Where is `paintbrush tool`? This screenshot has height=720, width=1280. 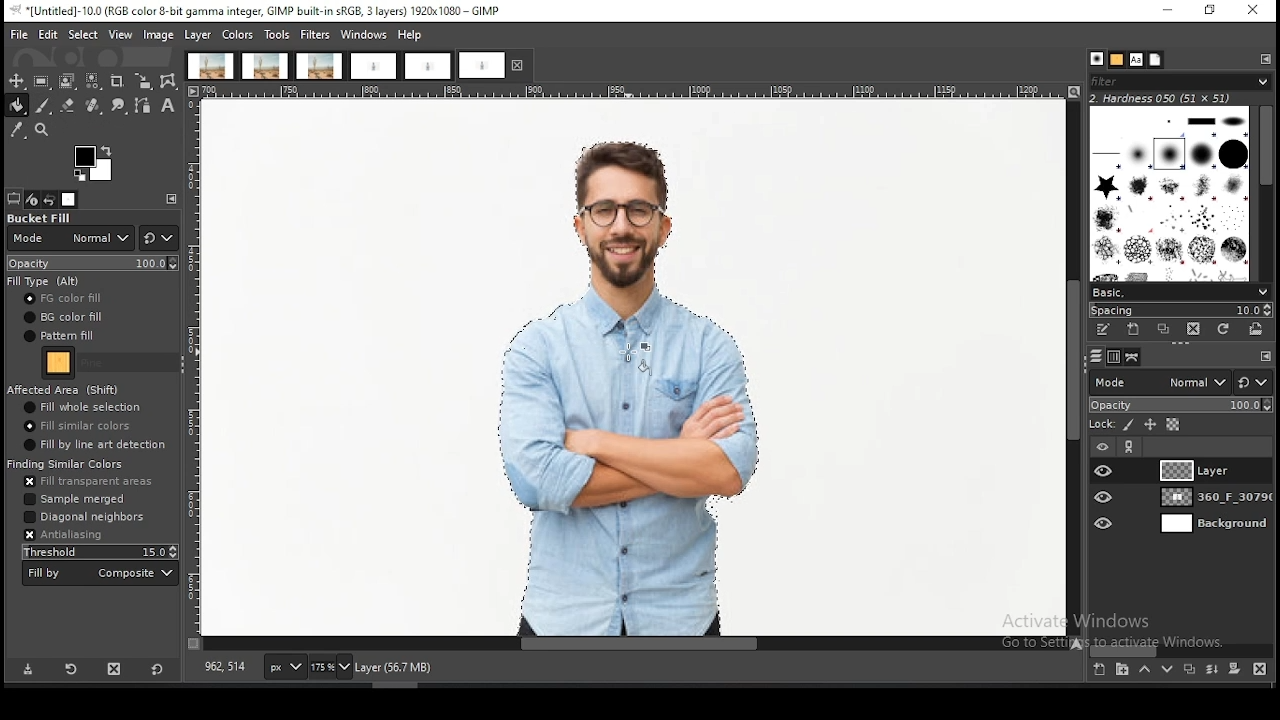
paintbrush tool is located at coordinates (43, 106).